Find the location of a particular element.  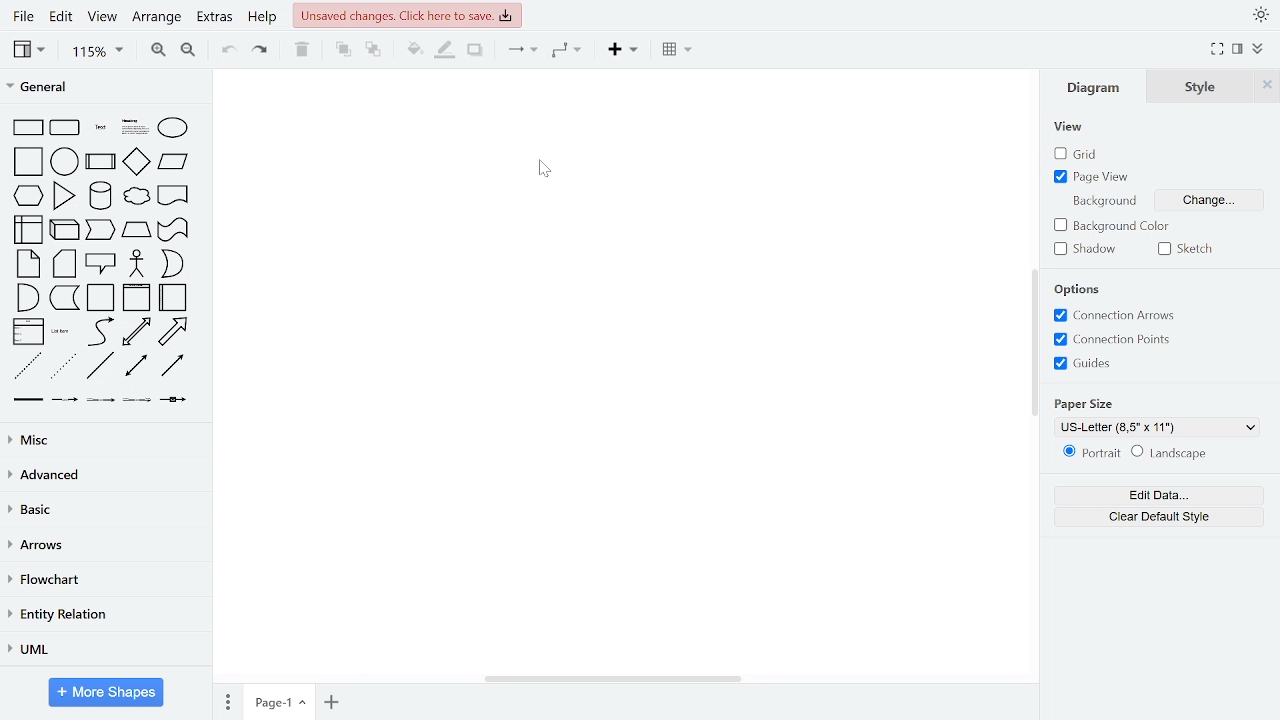

table is located at coordinates (678, 48).